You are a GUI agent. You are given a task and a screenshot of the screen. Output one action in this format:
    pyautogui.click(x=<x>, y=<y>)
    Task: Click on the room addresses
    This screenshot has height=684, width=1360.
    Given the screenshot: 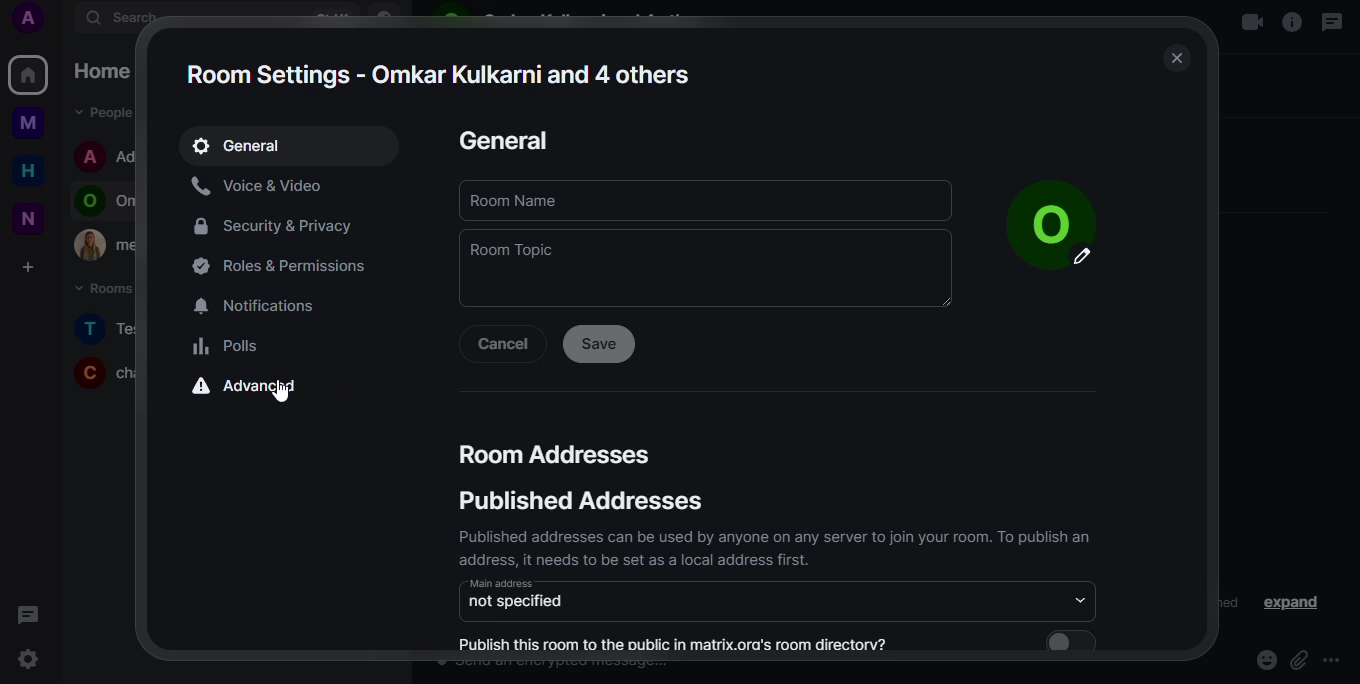 What is the action you would take?
    pyautogui.click(x=556, y=453)
    